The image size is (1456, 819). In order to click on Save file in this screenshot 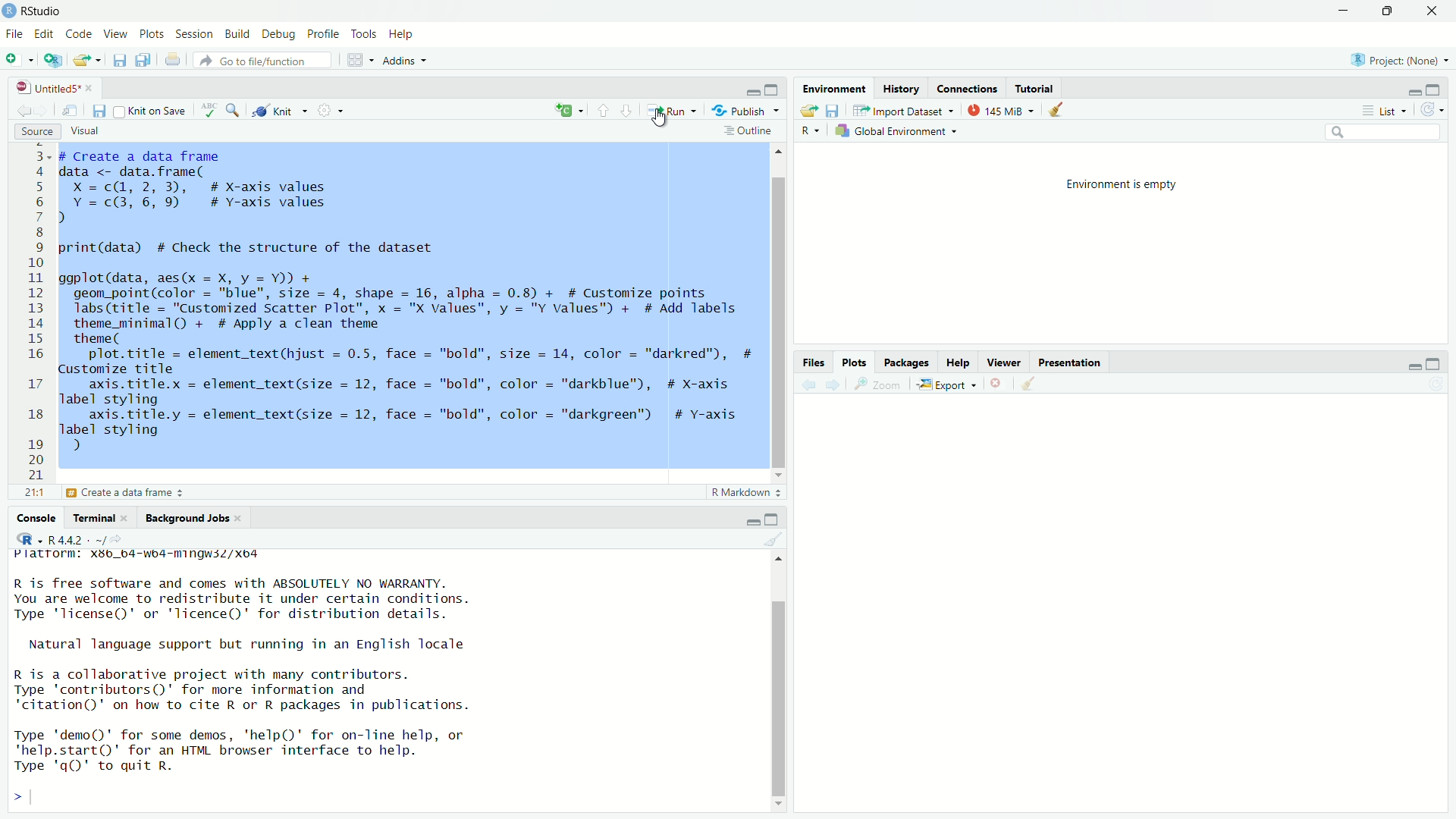, I will do `click(833, 111)`.